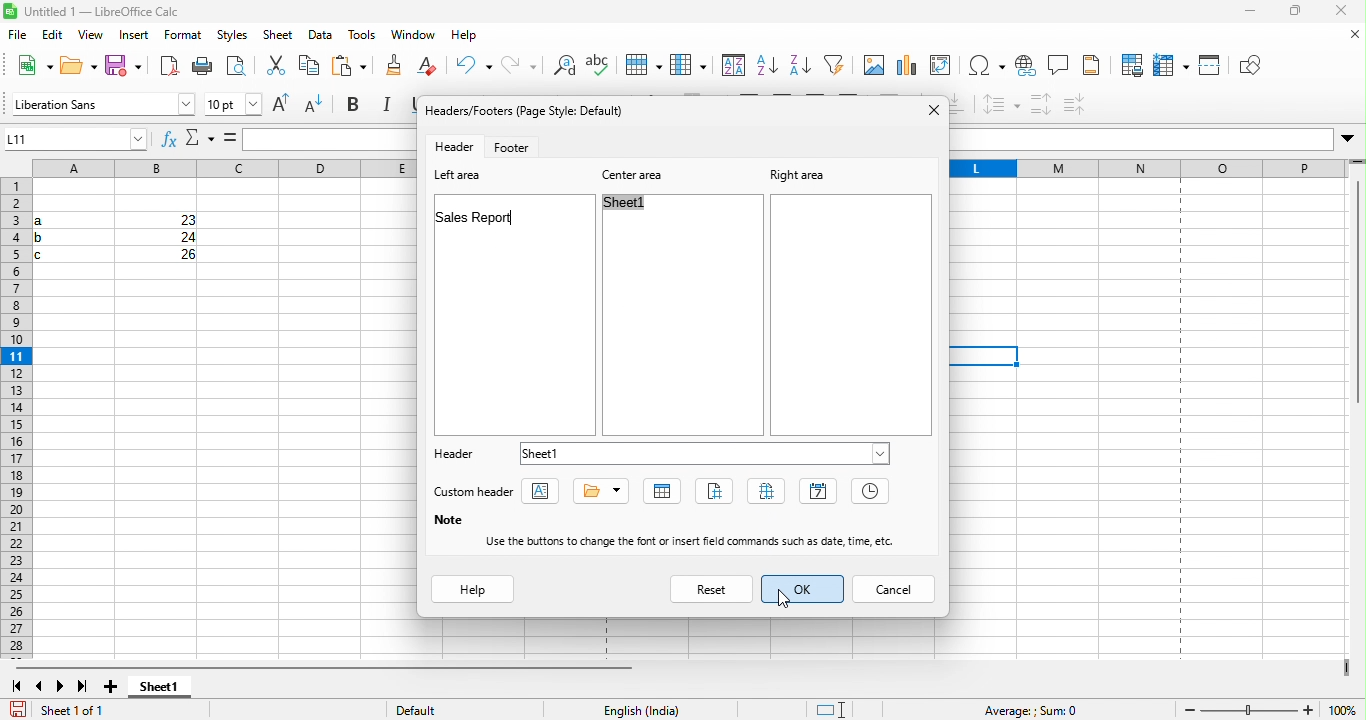  Describe the element at coordinates (817, 492) in the screenshot. I see `date` at that location.